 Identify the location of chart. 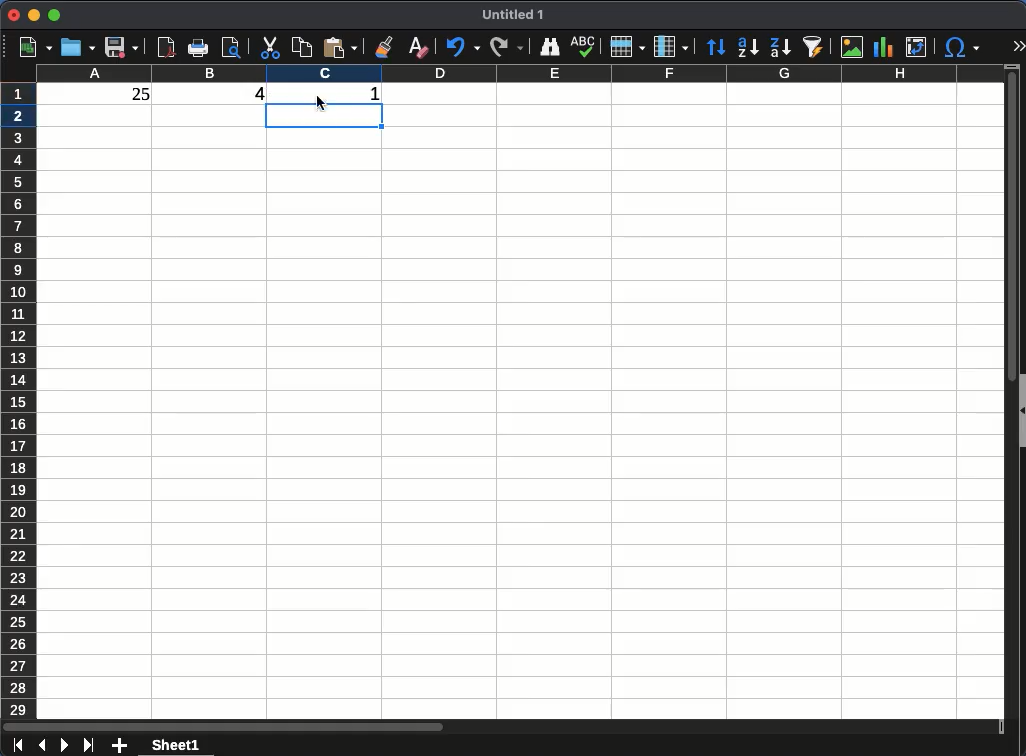
(883, 47).